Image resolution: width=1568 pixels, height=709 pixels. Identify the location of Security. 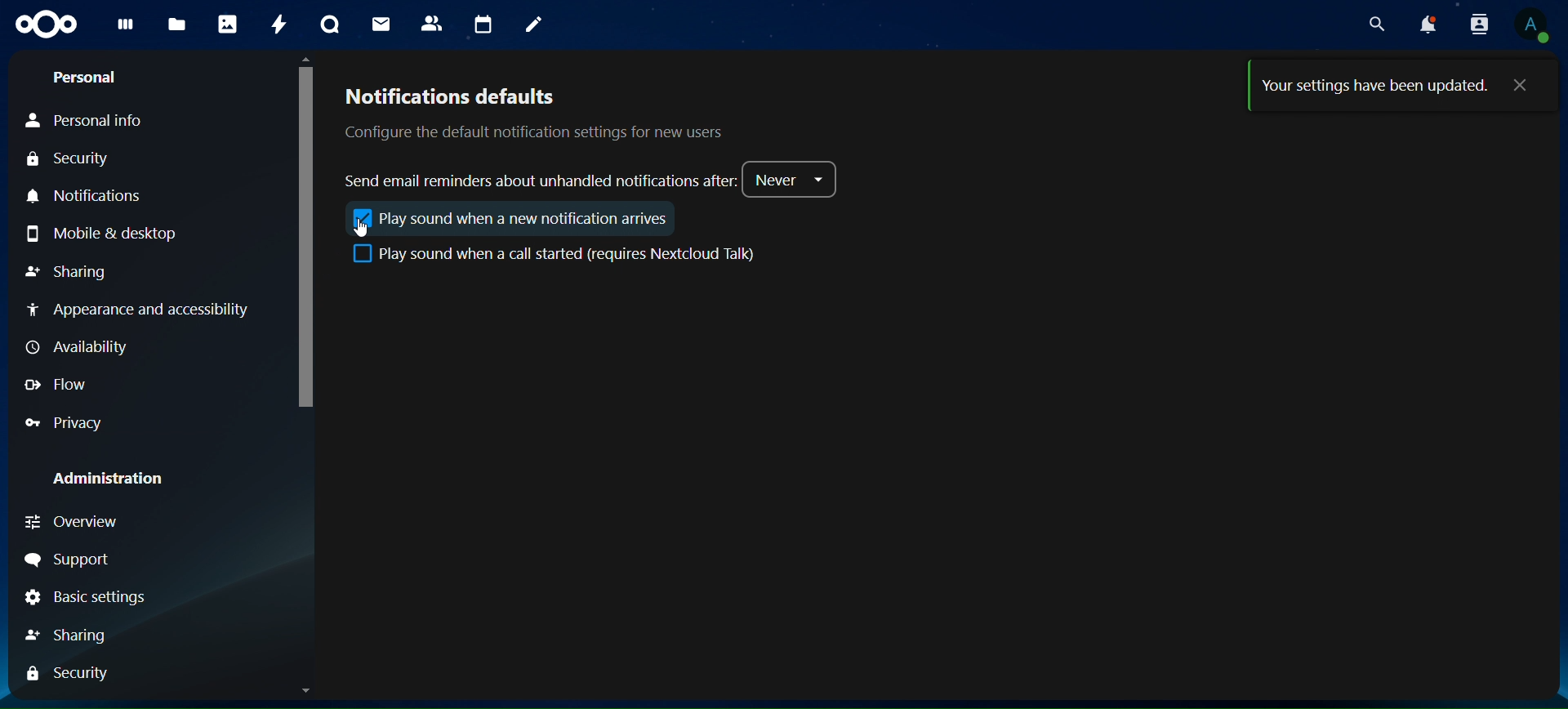
(67, 161).